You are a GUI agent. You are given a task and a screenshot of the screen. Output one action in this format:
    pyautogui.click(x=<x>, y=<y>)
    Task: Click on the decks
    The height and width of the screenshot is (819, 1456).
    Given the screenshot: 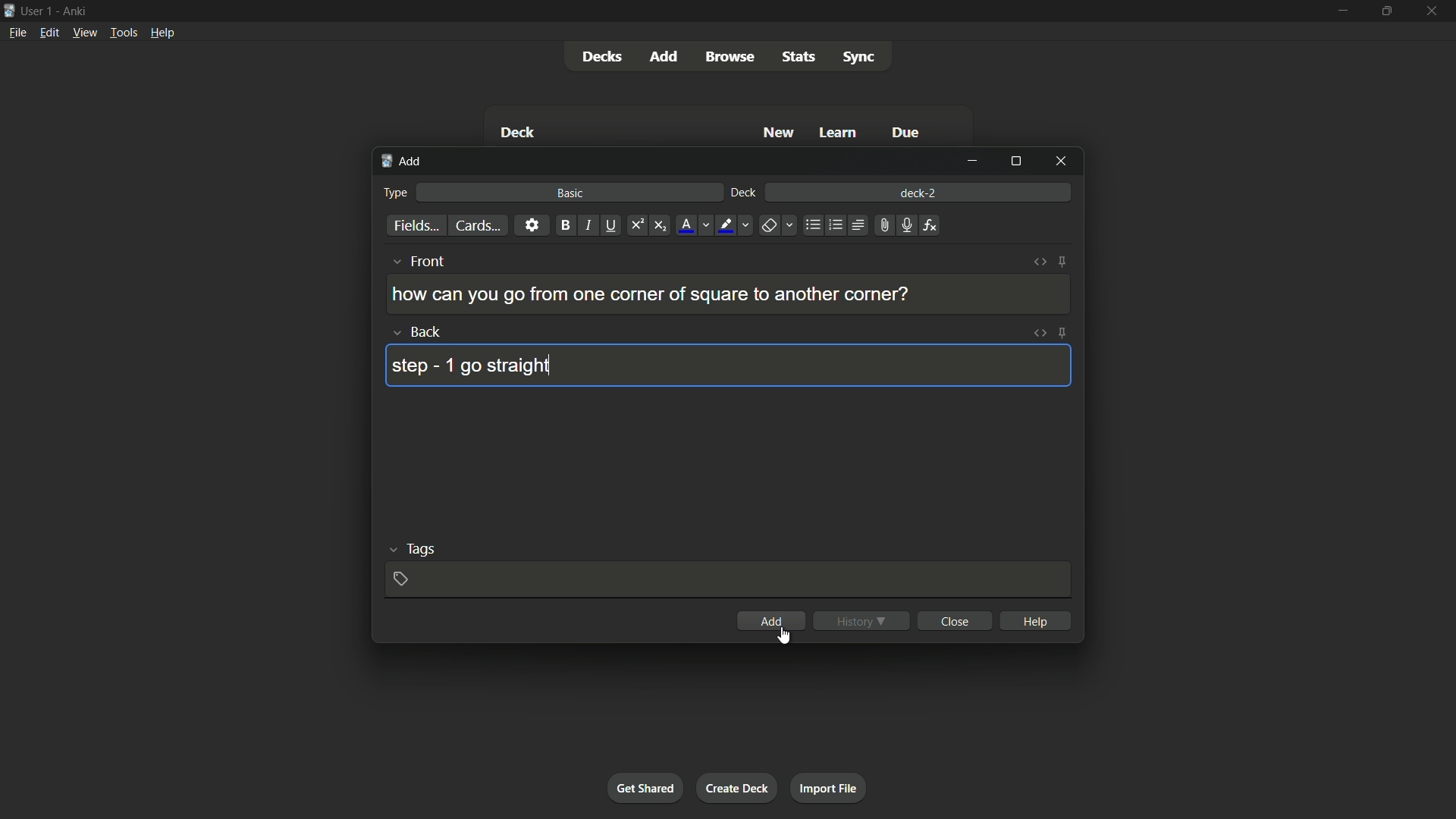 What is the action you would take?
    pyautogui.click(x=600, y=56)
    